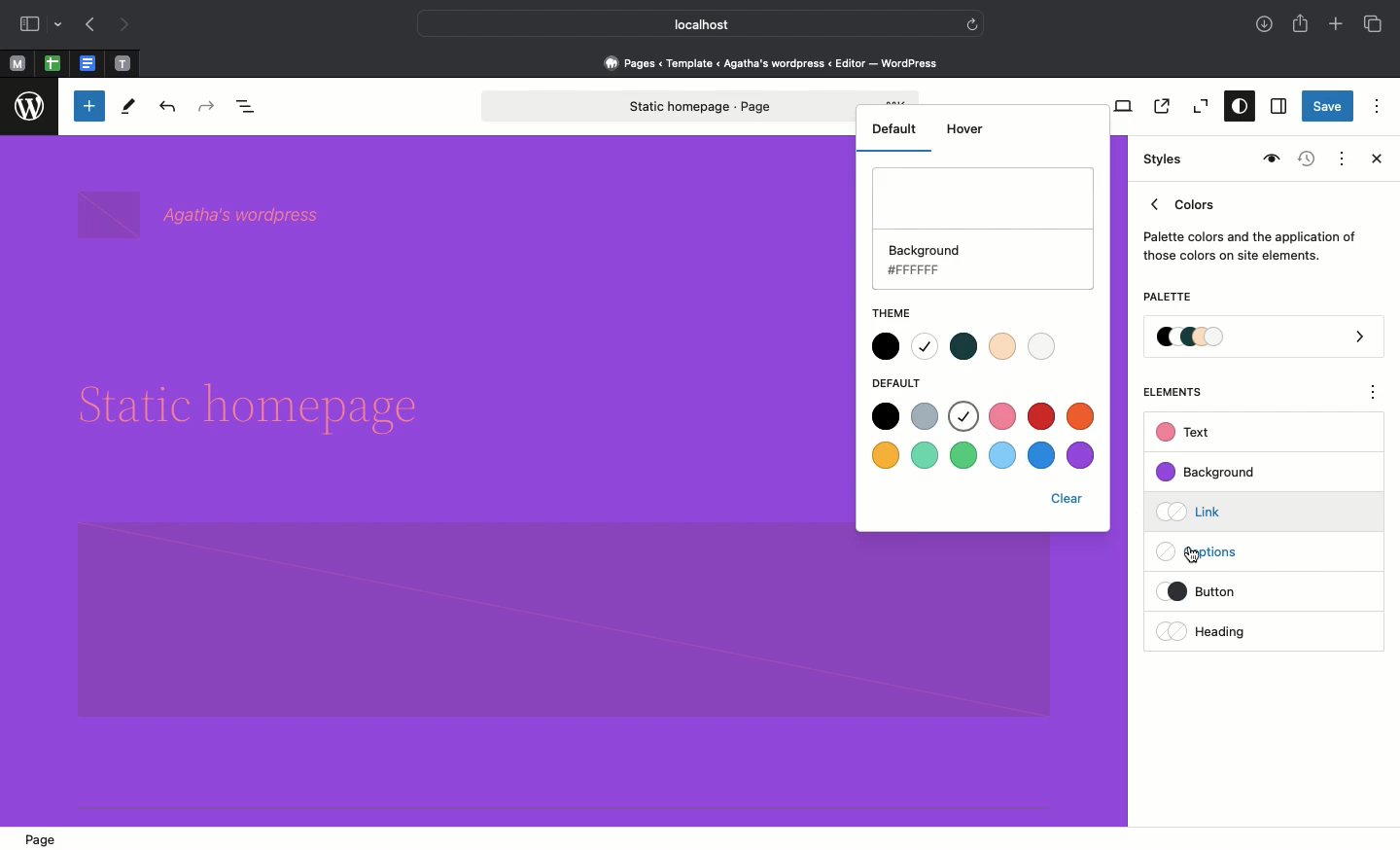 This screenshot has width=1400, height=850. Describe the element at coordinates (962, 127) in the screenshot. I see `Hover` at that location.